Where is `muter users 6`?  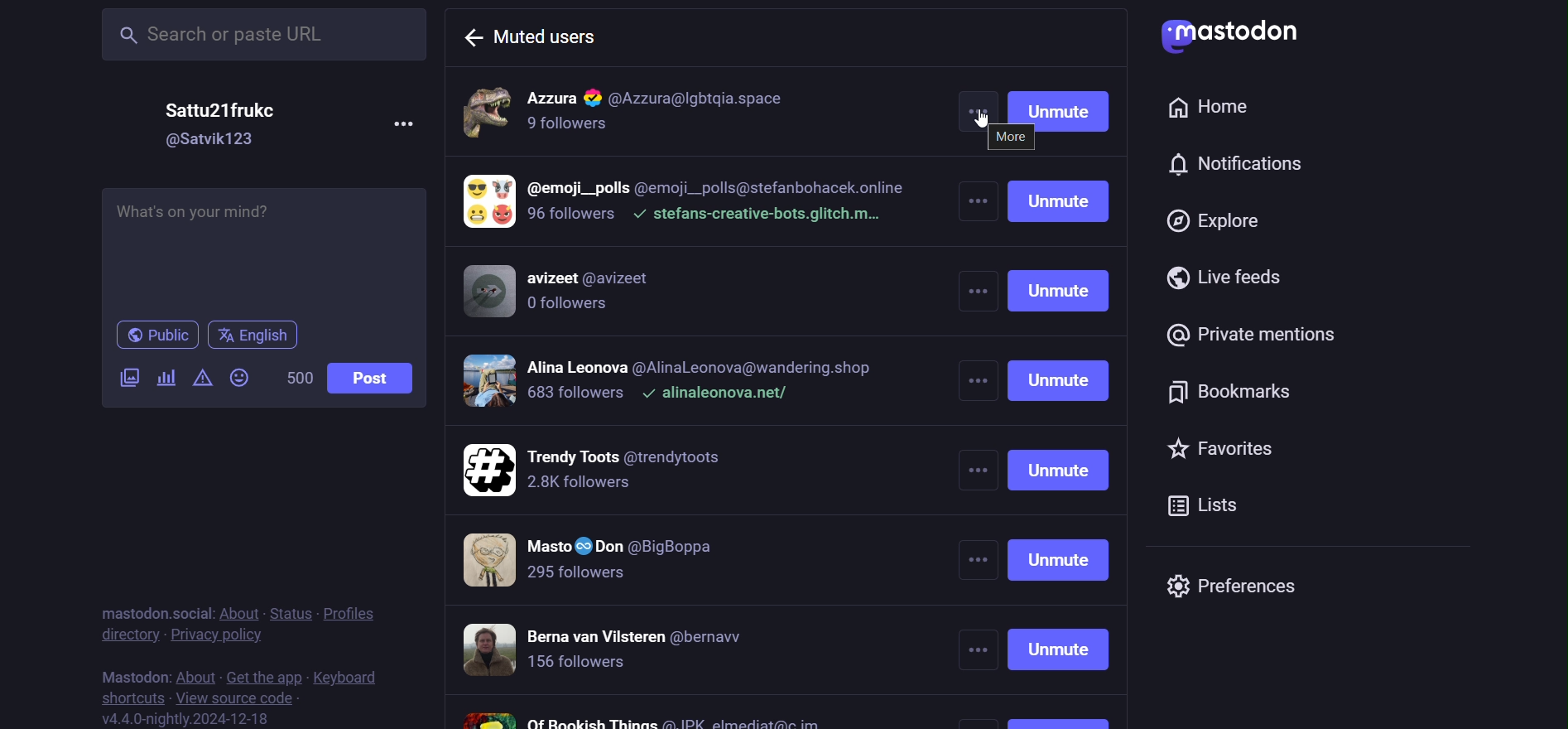 muter users 6 is located at coordinates (606, 560).